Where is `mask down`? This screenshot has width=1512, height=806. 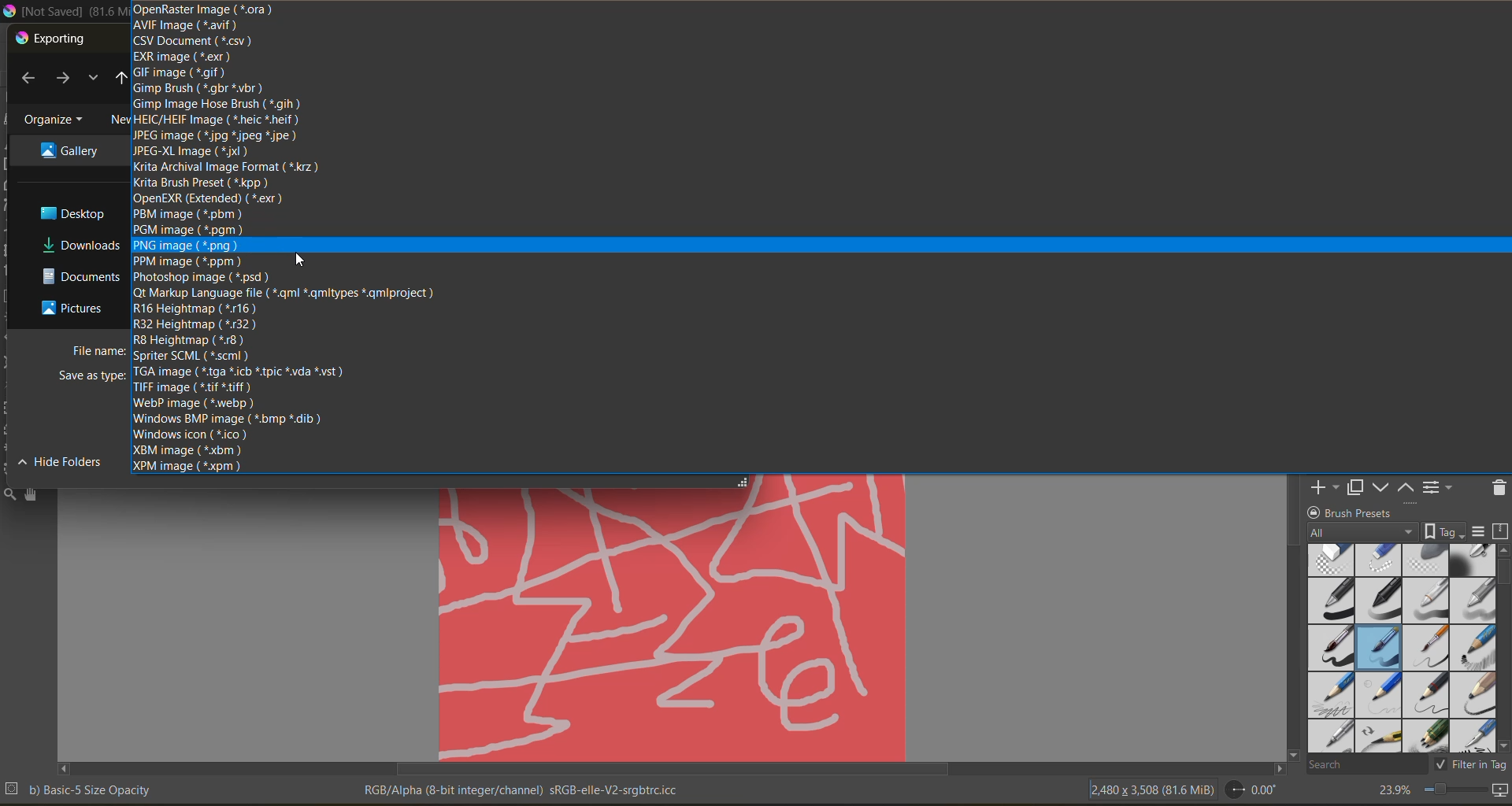 mask down is located at coordinates (1380, 488).